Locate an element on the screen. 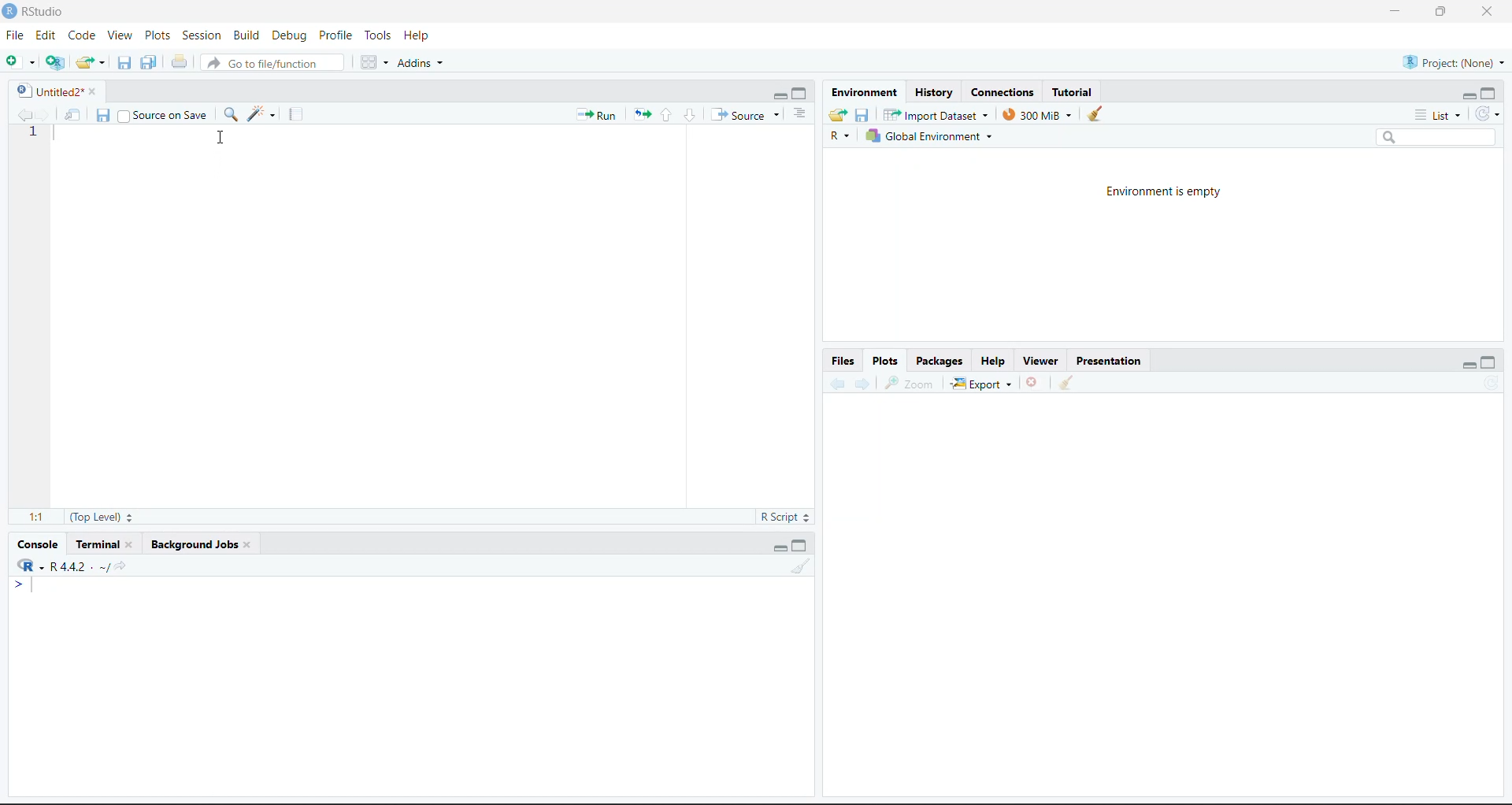 Image resolution: width=1512 pixels, height=805 pixels. Help is located at coordinates (419, 35).